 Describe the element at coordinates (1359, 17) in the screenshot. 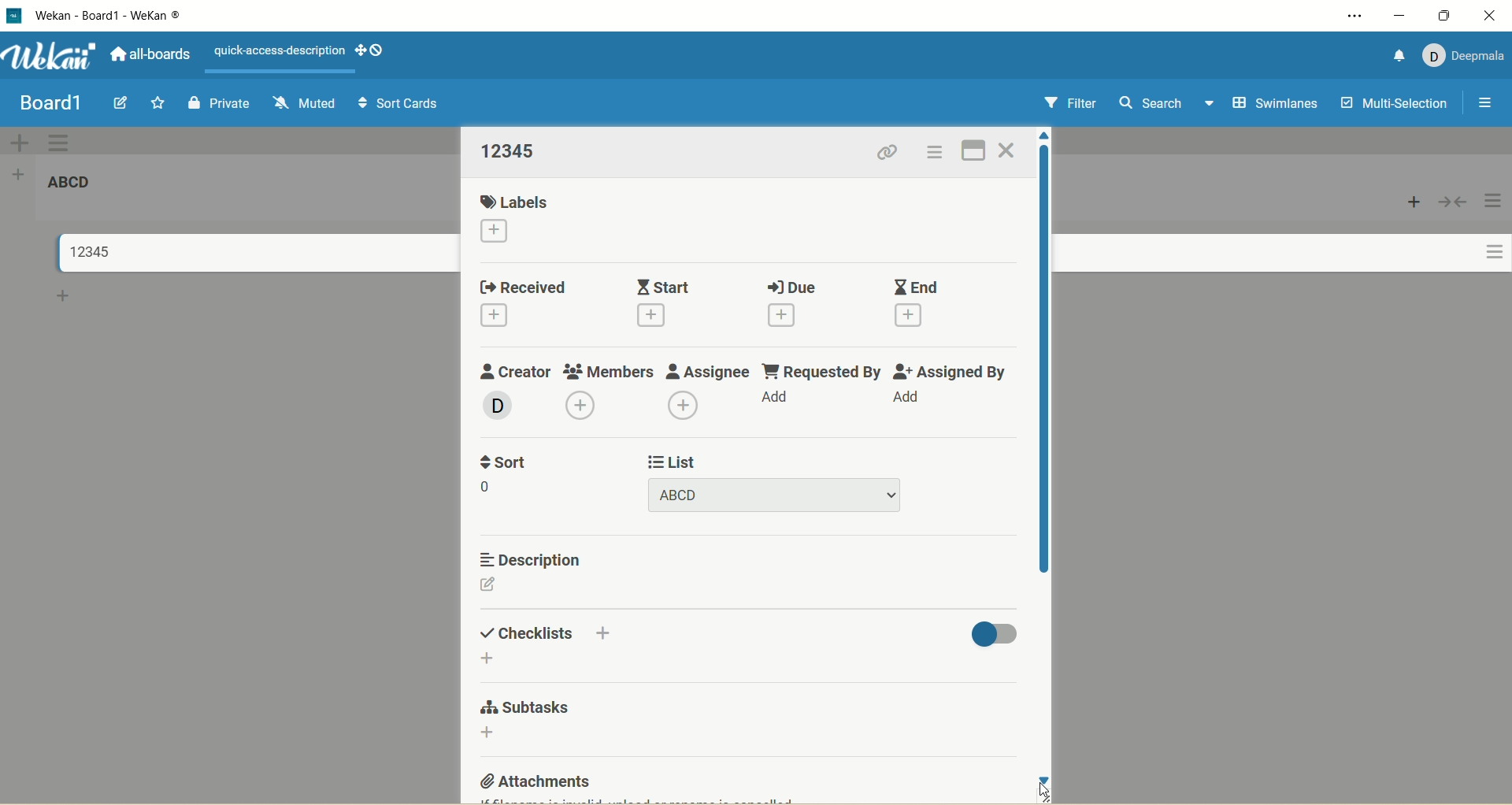

I see `settings and more` at that location.